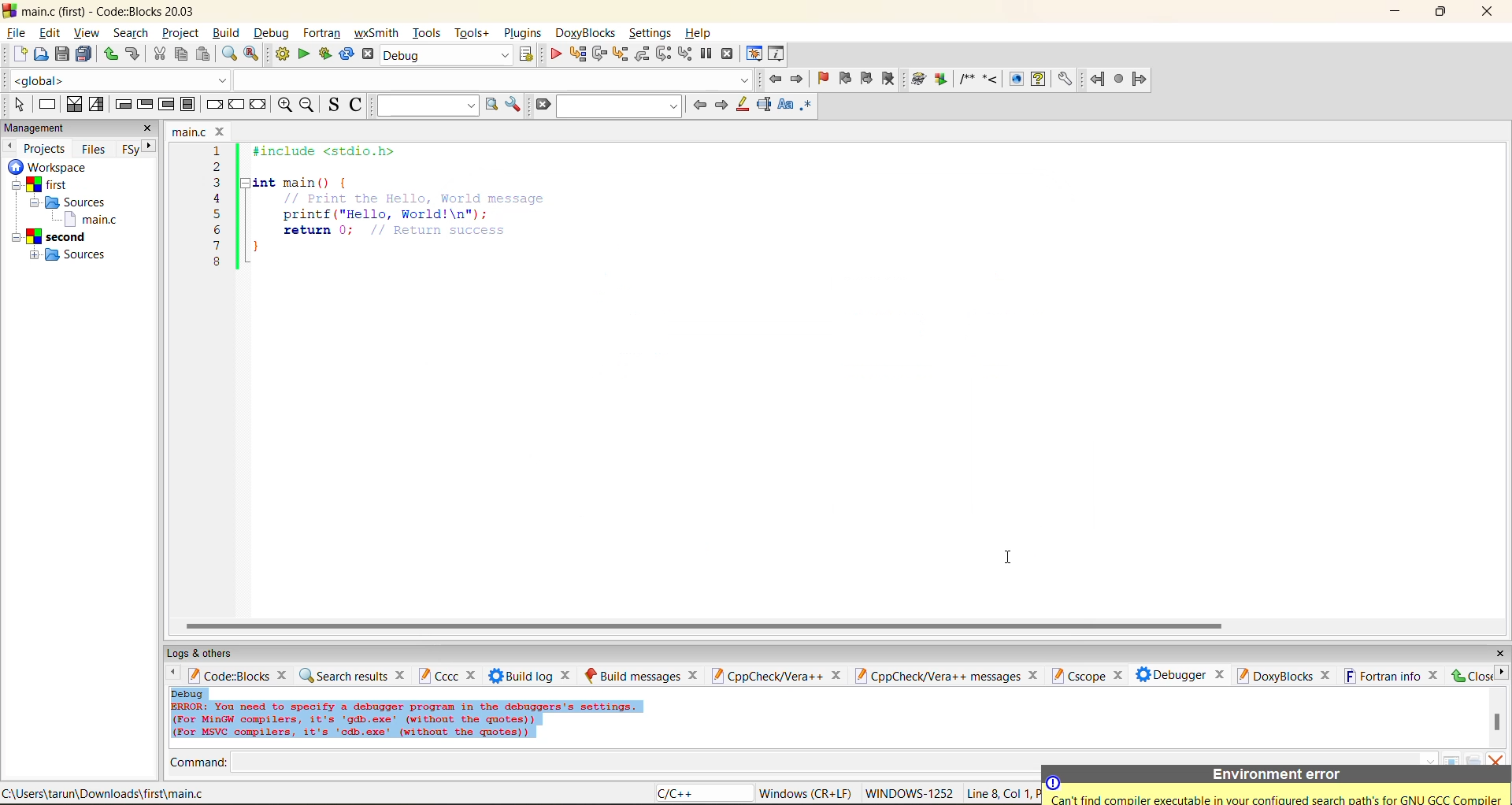 This screenshot has width=1512, height=805. I want to click on continue instruction, so click(235, 106).